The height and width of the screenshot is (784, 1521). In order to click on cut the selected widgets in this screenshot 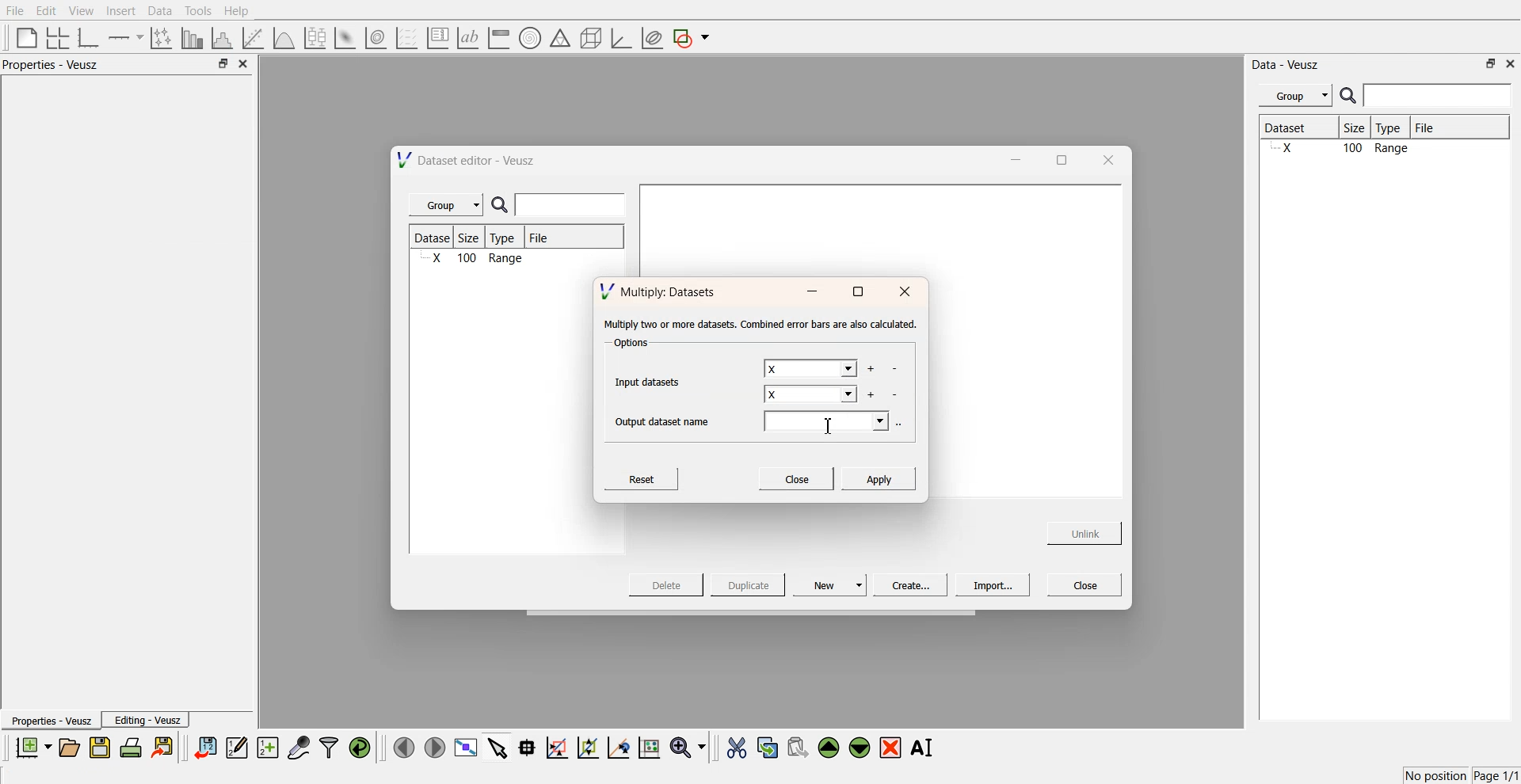, I will do `click(735, 748)`.